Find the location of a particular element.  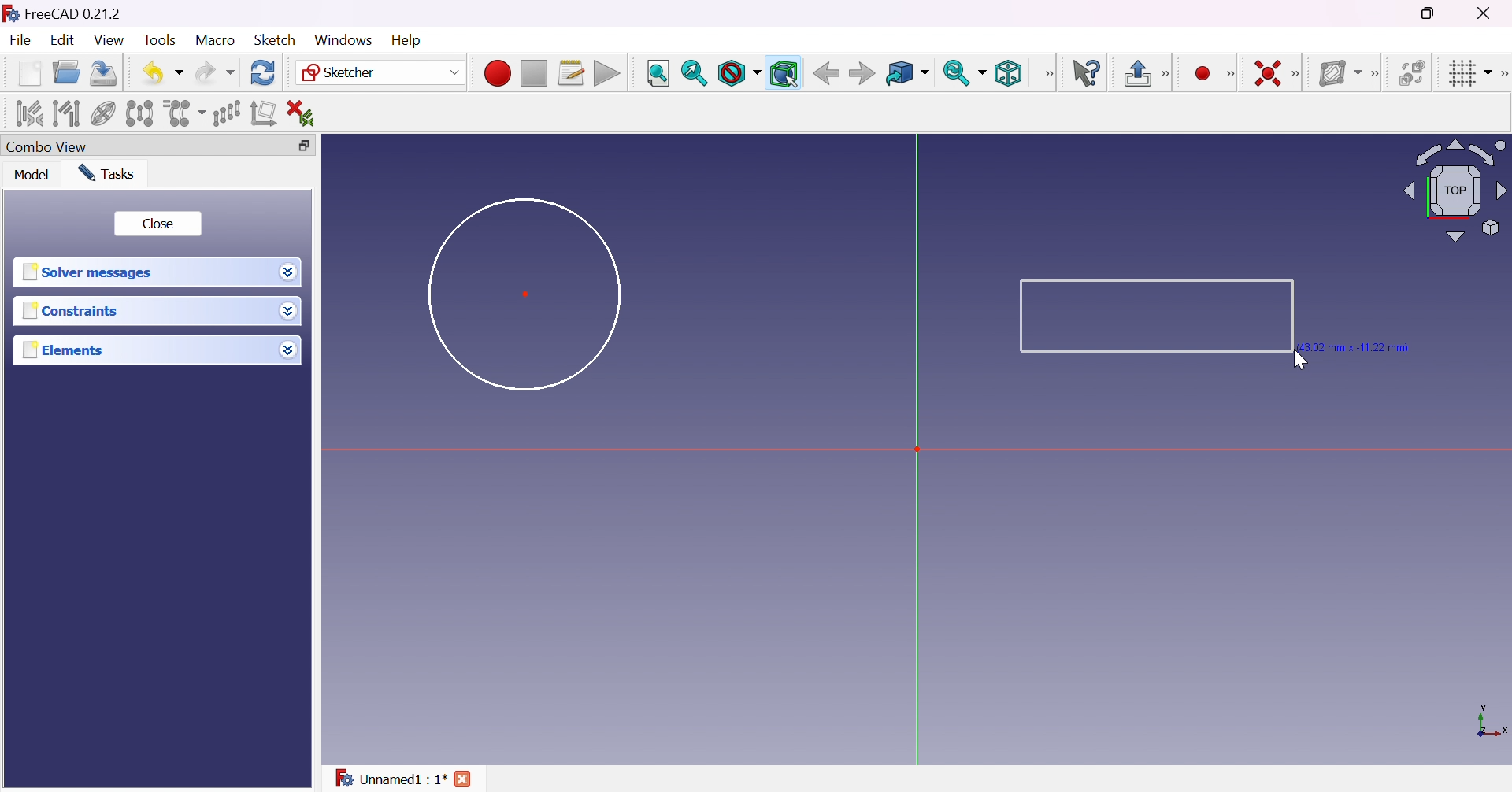

What's this? is located at coordinates (1088, 73).